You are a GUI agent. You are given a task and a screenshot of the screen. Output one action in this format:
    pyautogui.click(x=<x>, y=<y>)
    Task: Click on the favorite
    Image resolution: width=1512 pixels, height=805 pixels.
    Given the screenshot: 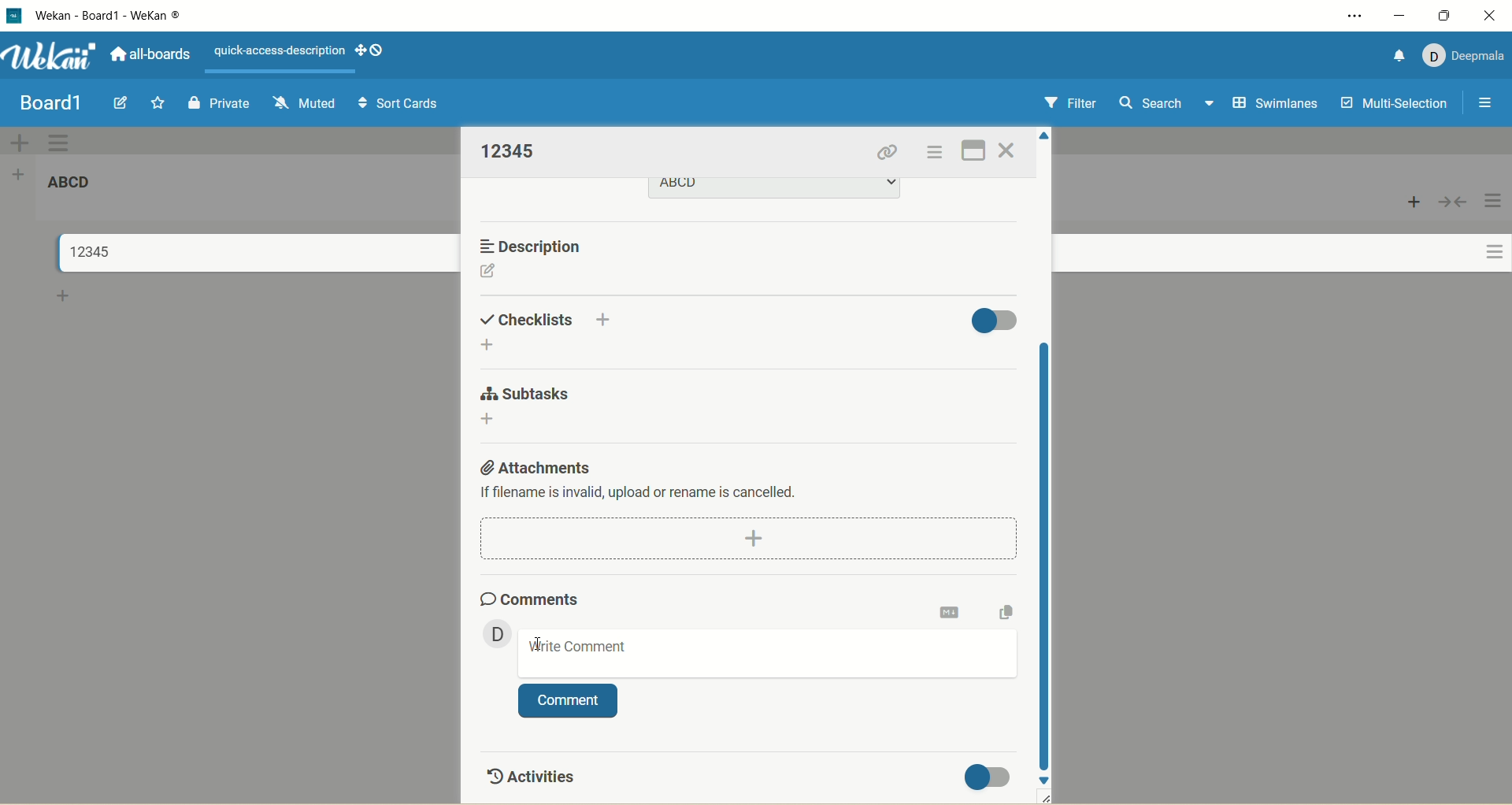 What is the action you would take?
    pyautogui.click(x=154, y=106)
    